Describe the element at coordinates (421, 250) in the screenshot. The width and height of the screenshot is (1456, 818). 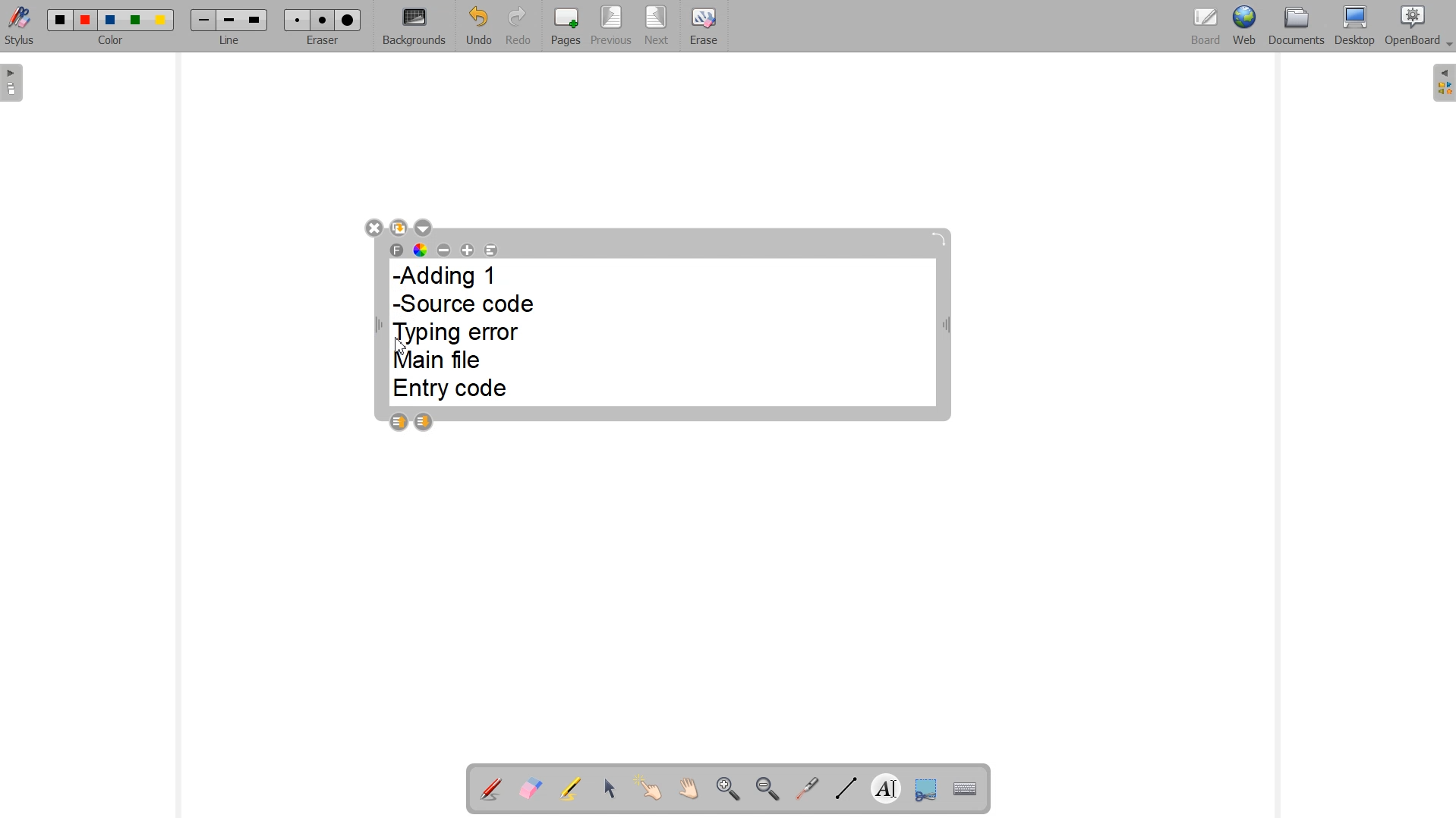
I see `Text color` at that location.